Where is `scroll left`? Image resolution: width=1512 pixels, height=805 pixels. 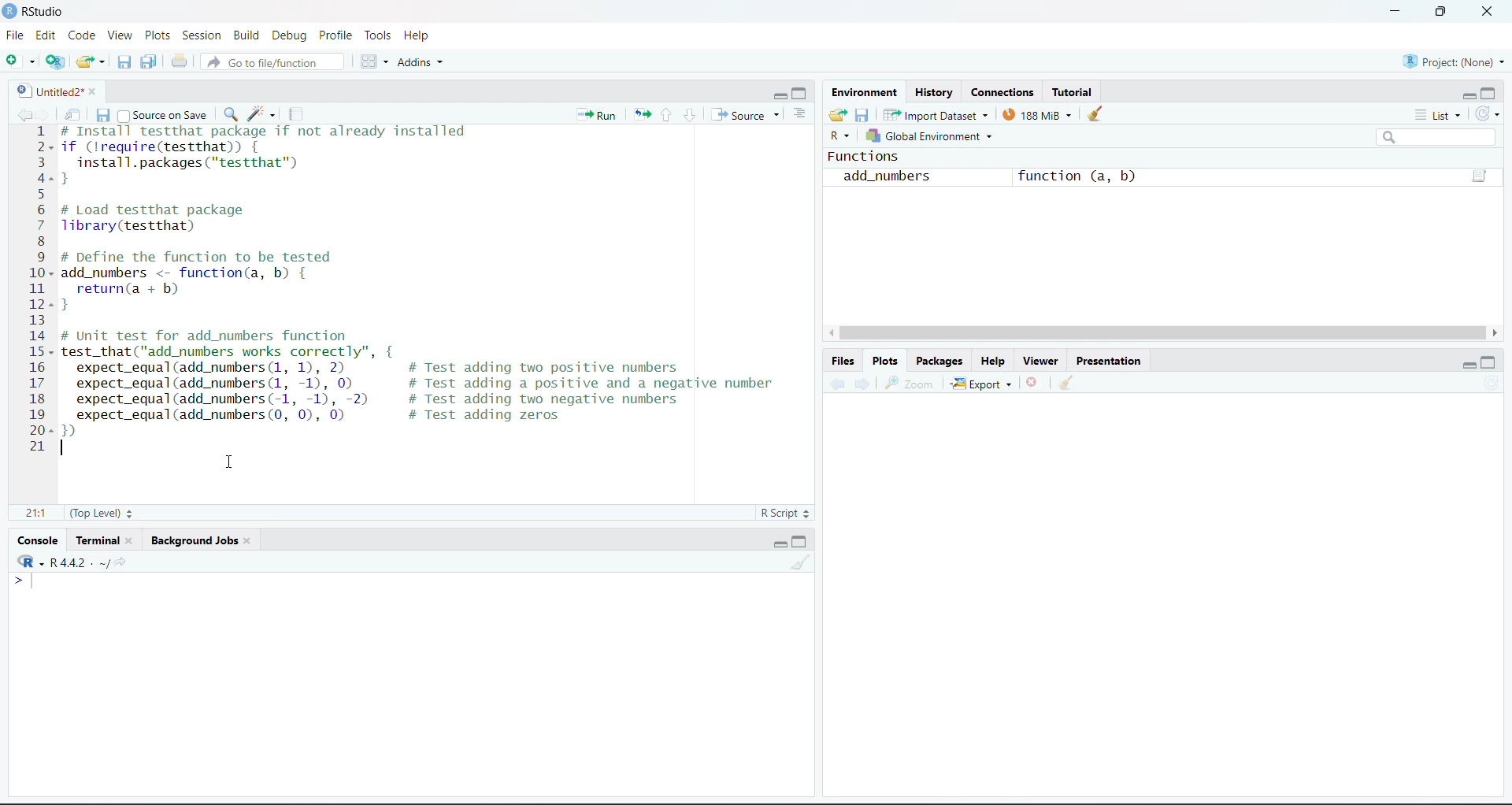
scroll left is located at coordinates (831, 332).